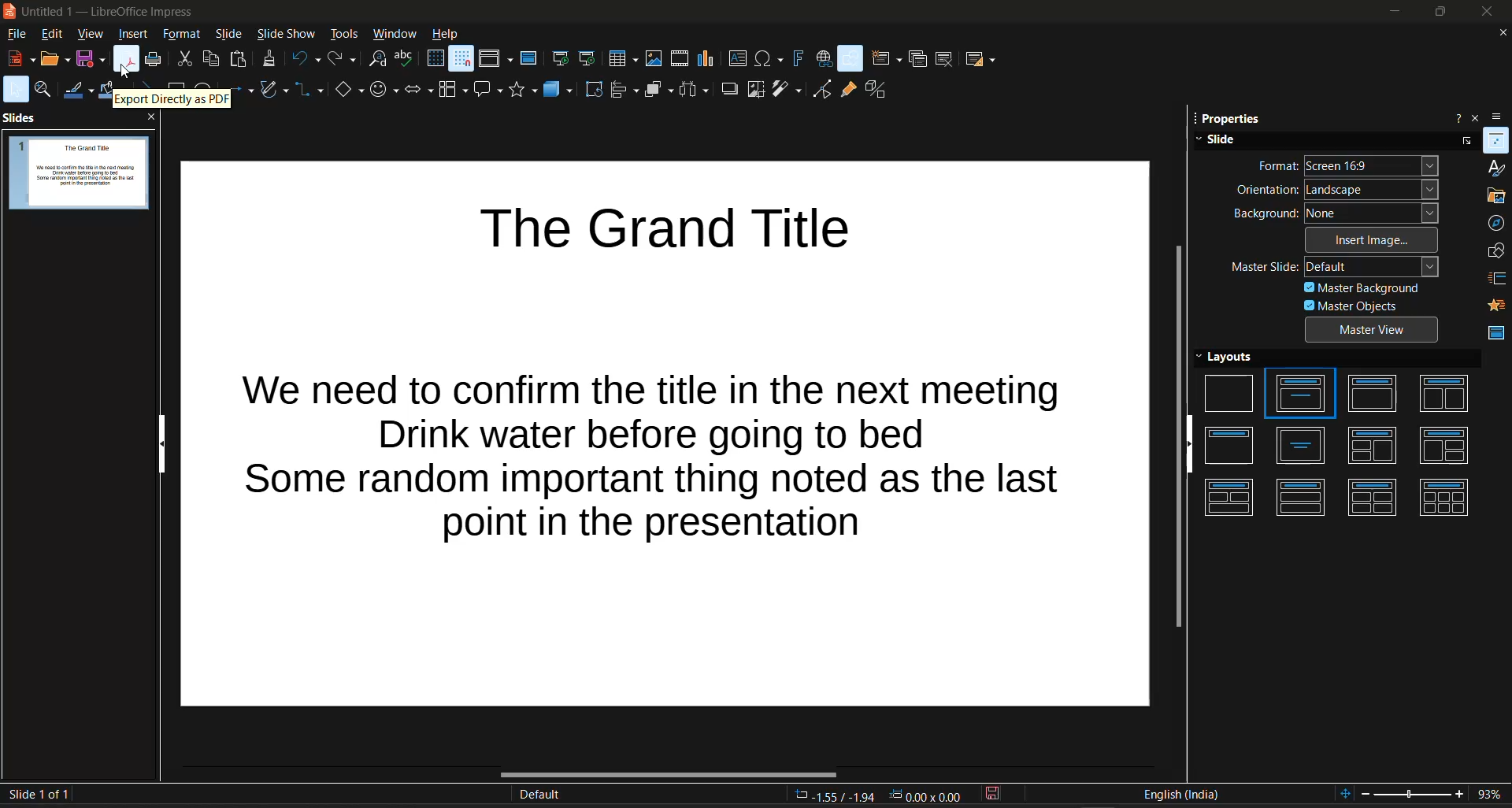  What do you see at coordinates (1456, 117) in the screenshot?
I see `help about sidebar deck` at bounding box center [1456, 117].